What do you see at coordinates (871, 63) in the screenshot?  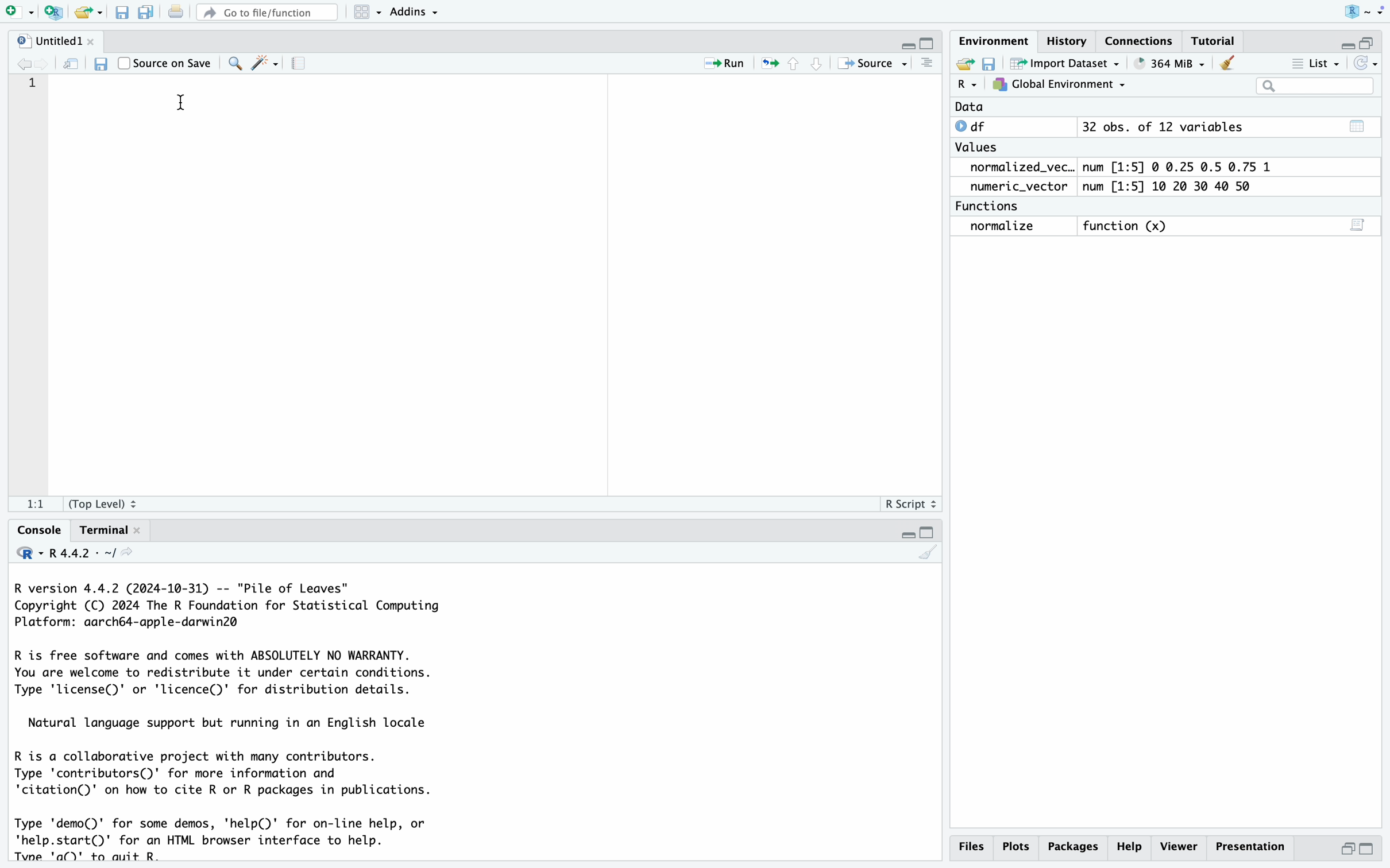 I see `Source` at bounding box center [871, 63].